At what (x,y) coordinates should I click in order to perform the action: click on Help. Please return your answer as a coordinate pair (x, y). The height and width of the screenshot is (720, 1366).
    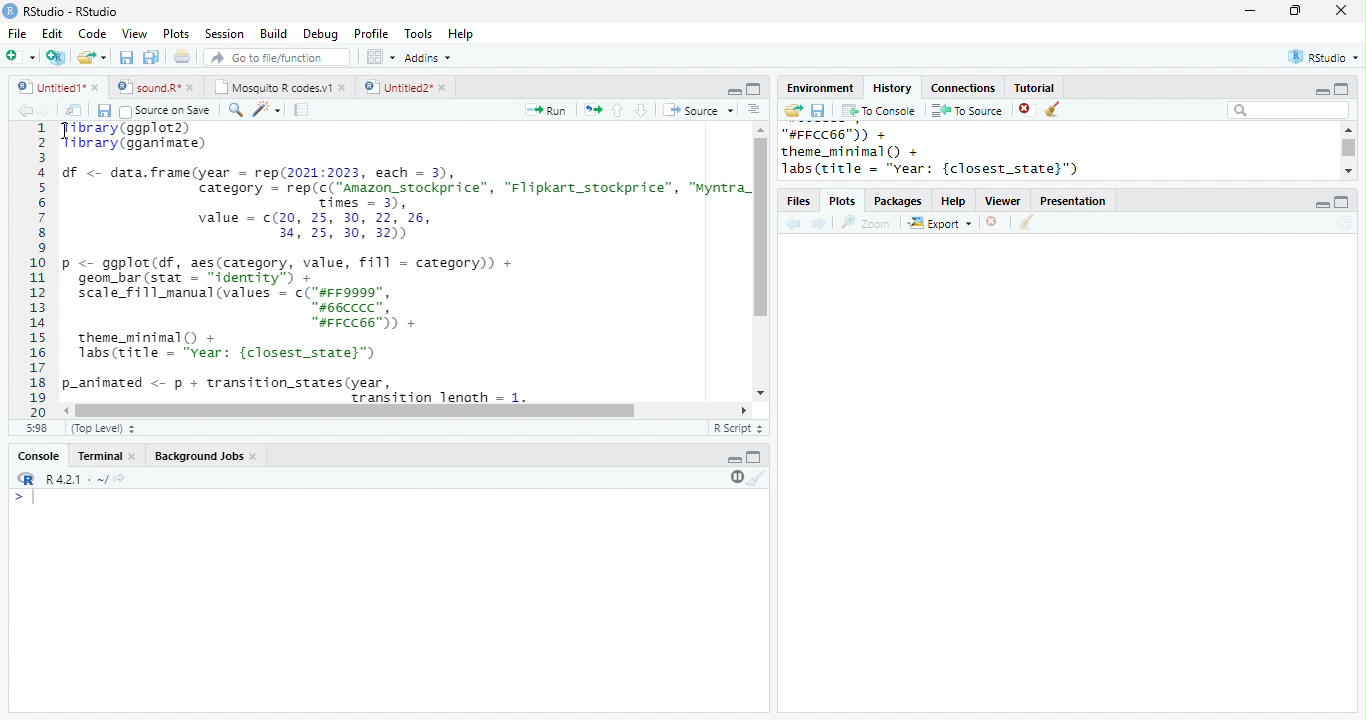
    Looking at the image, I should click on (460, 33).